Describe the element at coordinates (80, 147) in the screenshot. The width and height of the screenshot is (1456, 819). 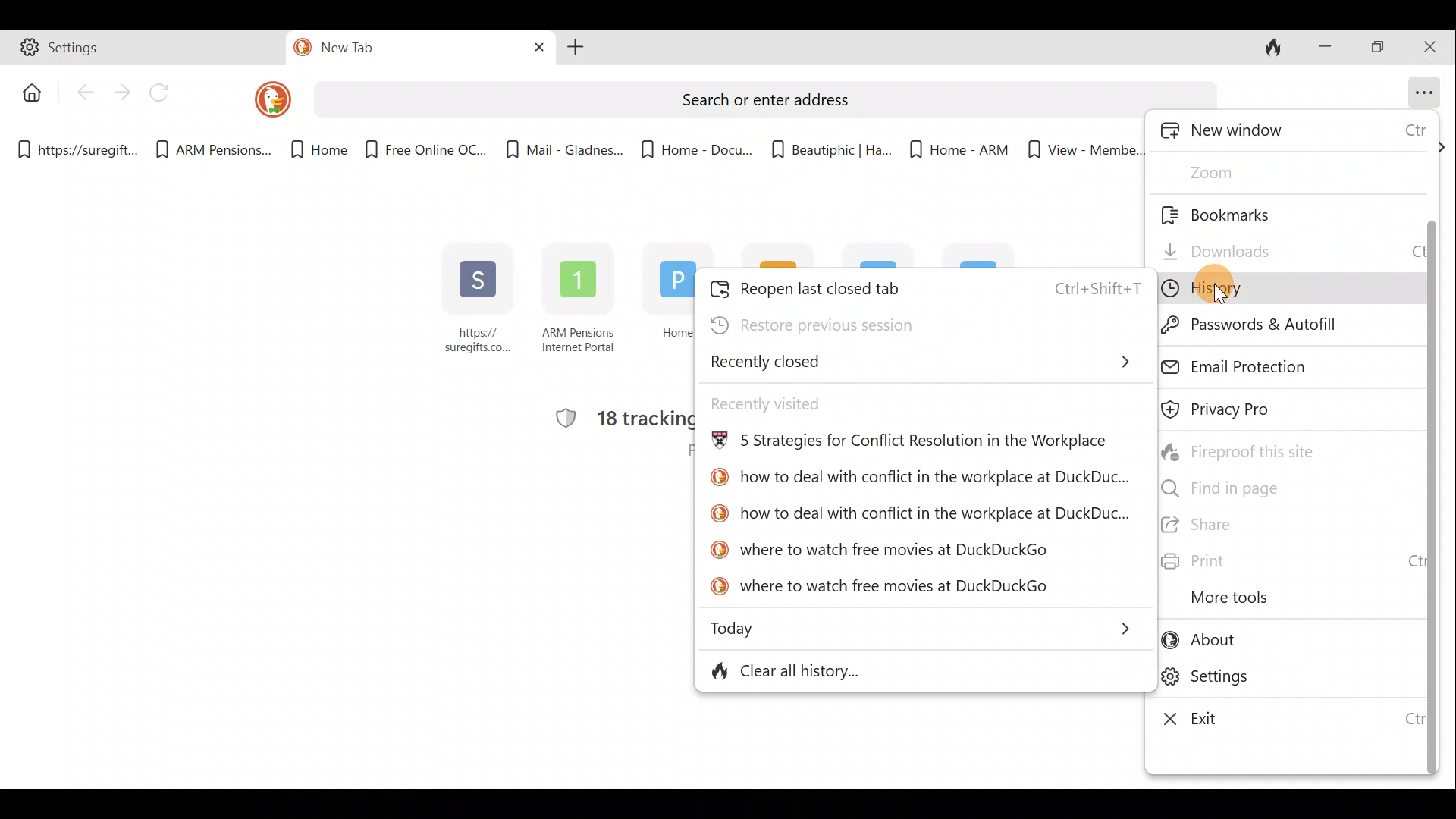
I see `https://suregitt...` at that location.